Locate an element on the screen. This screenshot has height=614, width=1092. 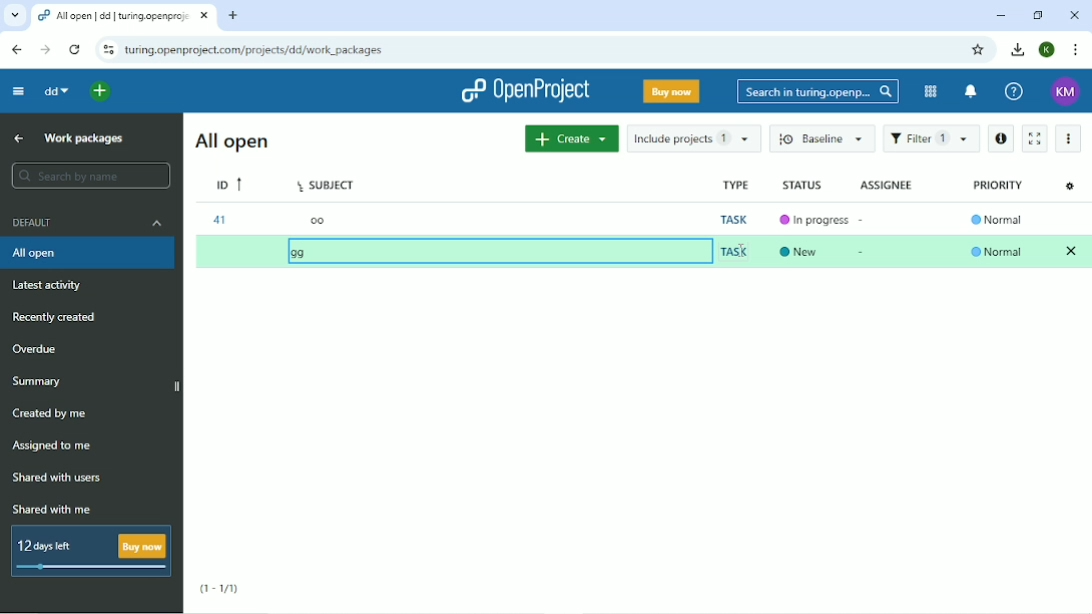
Customize and control google chrome is located at coordinates (1074, 50).